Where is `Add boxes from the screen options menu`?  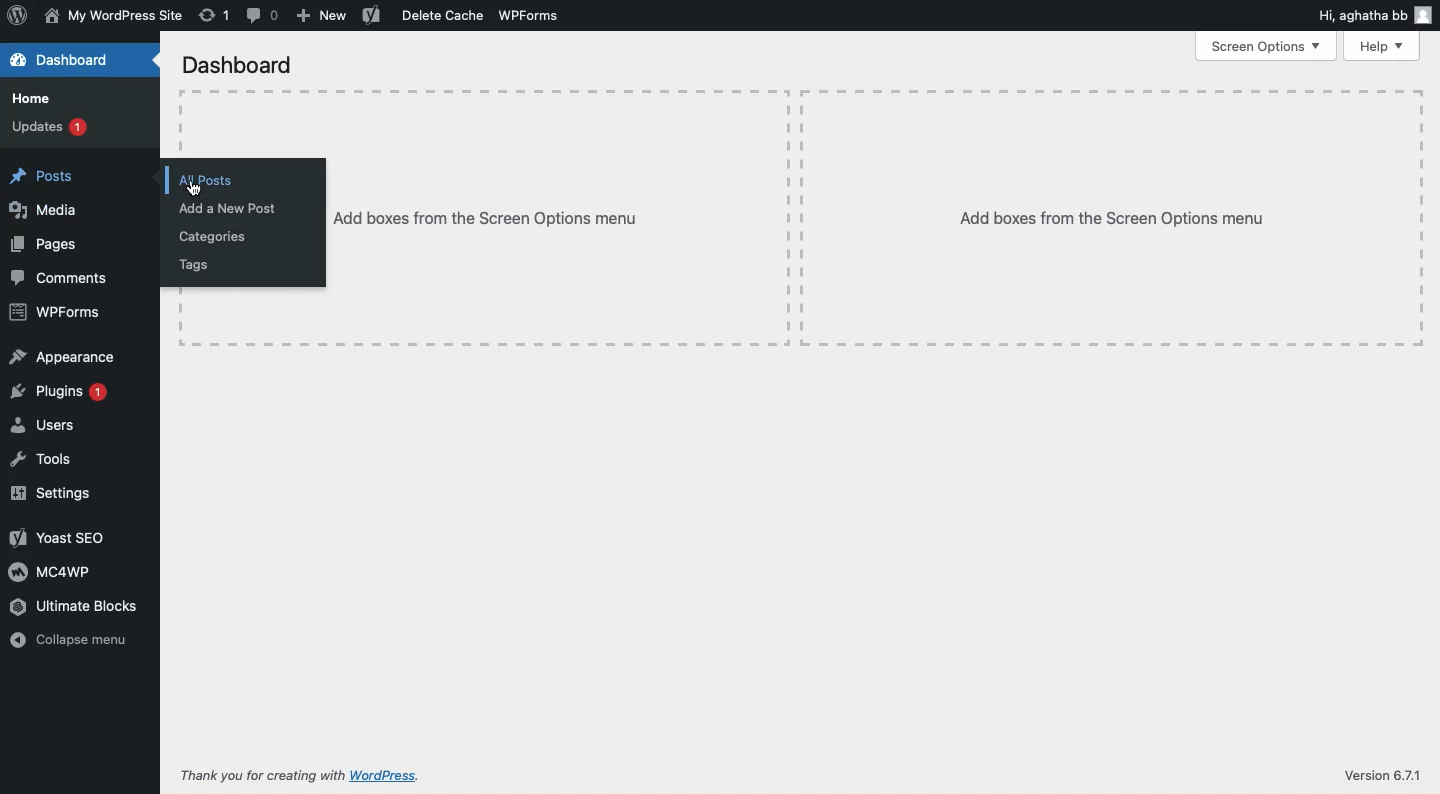 Add boxes from the screen options menu is located at coordinates (1112, 217).